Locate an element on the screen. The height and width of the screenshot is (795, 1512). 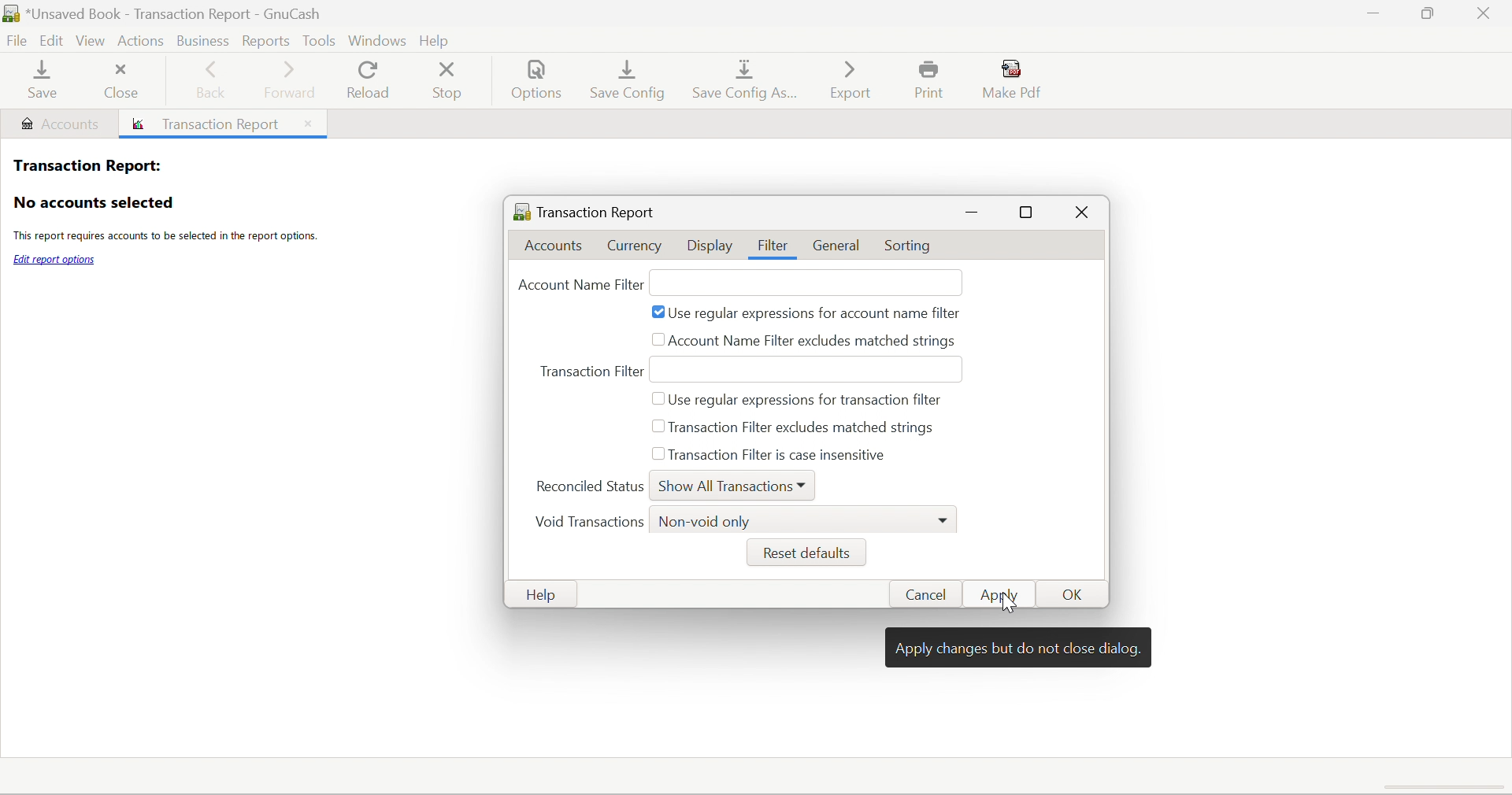
Restore Down is located at coordinates (1425, 14).